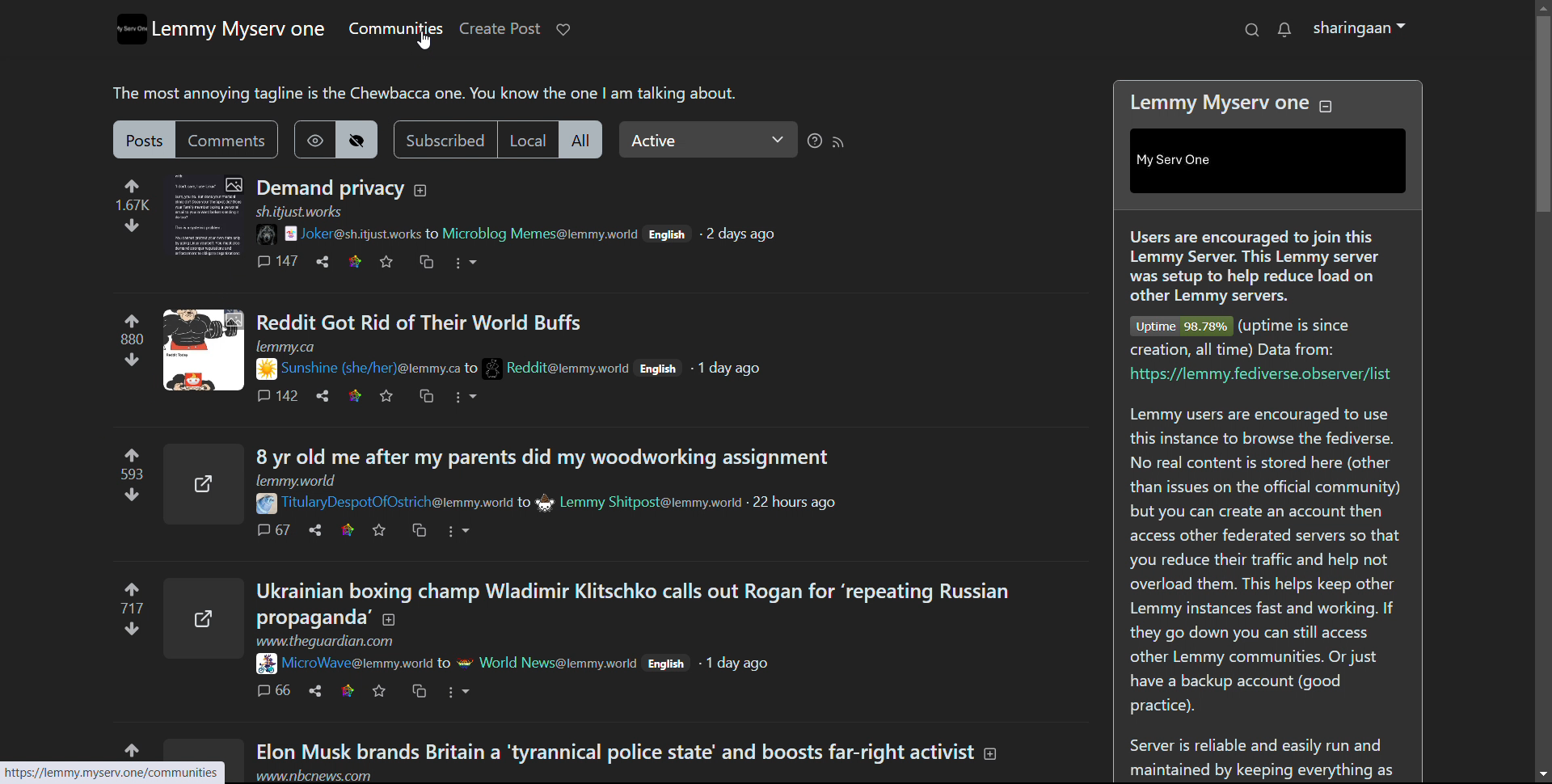 The width and height of the screenshot is (1552, 784). I want to click on poster image, so click(263, 504).